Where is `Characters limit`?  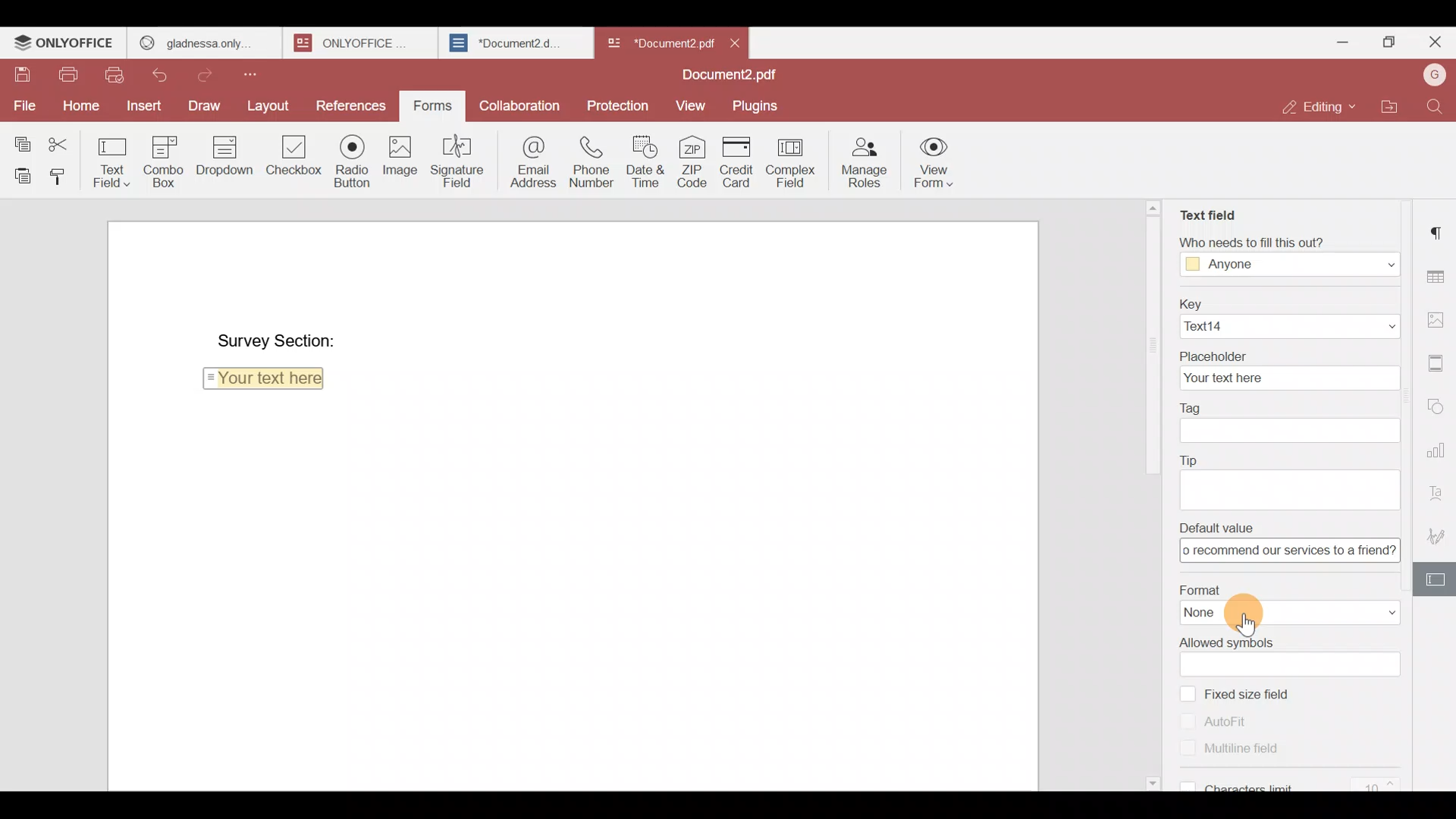 Characters limit is located at coordinates (1296, 783).